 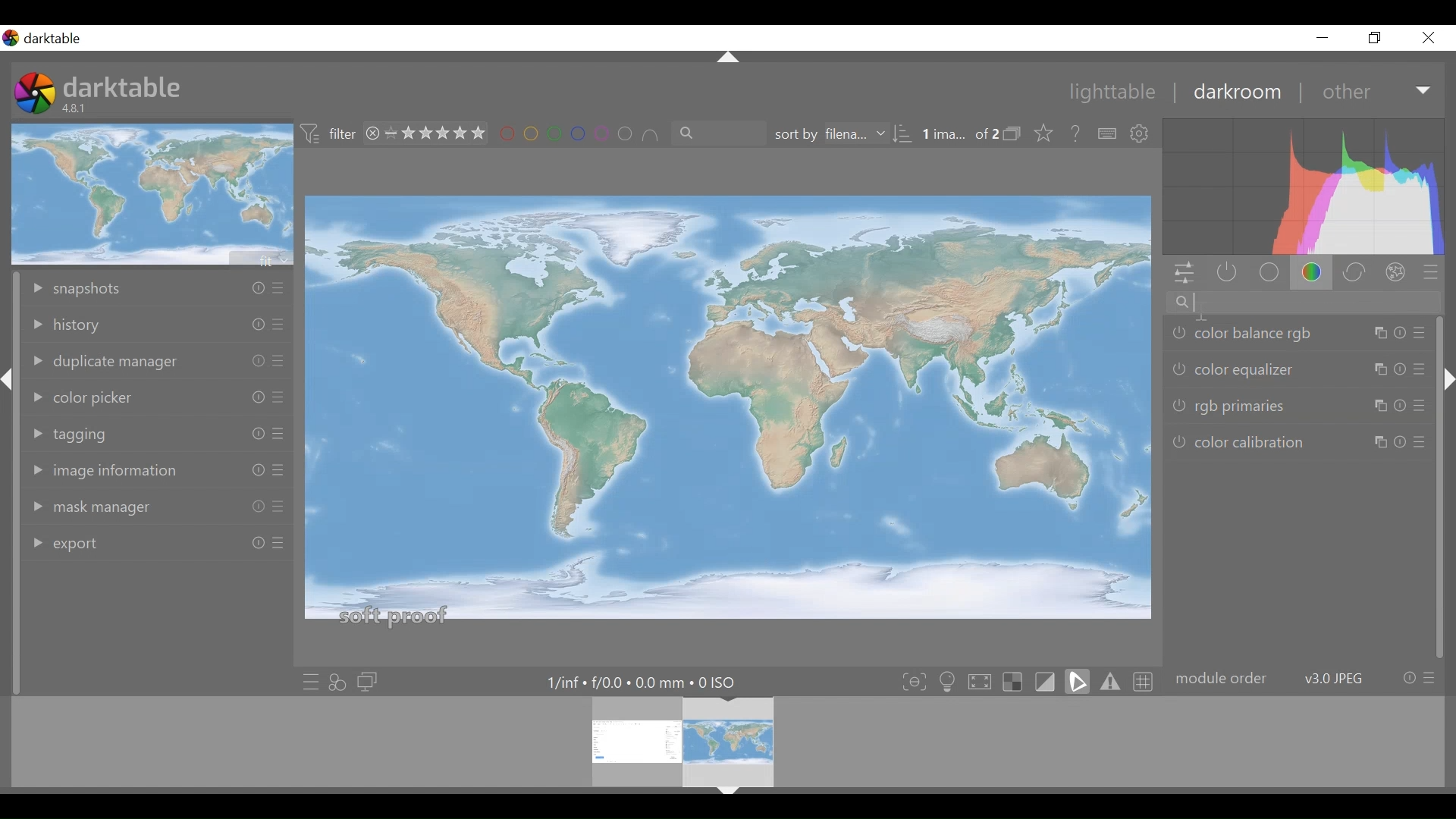 What do you see at coordinates (838, 135) in the screenshot?
I see `sort by` at bounding box center [838, 135].